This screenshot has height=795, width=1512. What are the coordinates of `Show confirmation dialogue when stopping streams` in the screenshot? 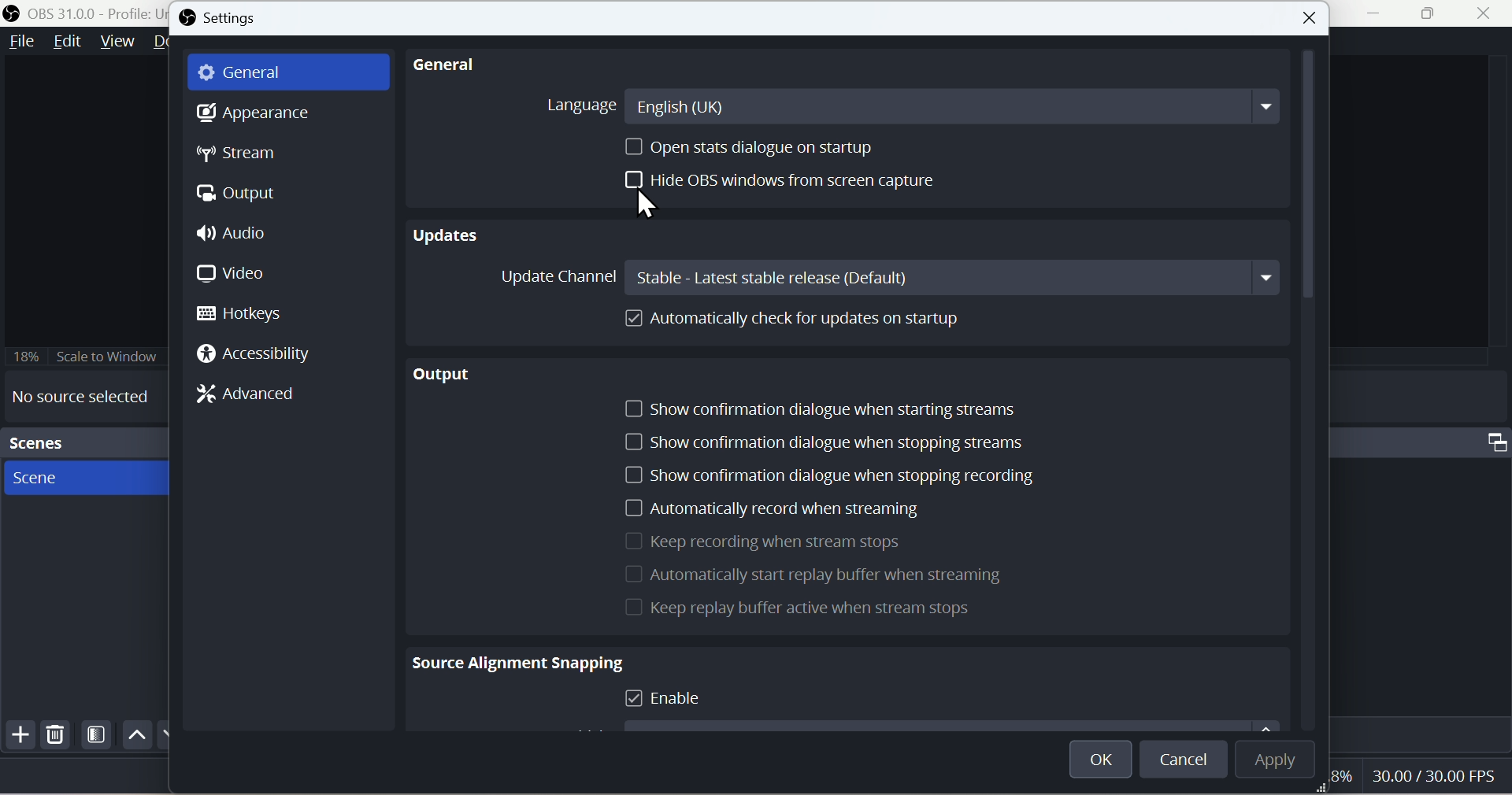 It's located at (831, 442).